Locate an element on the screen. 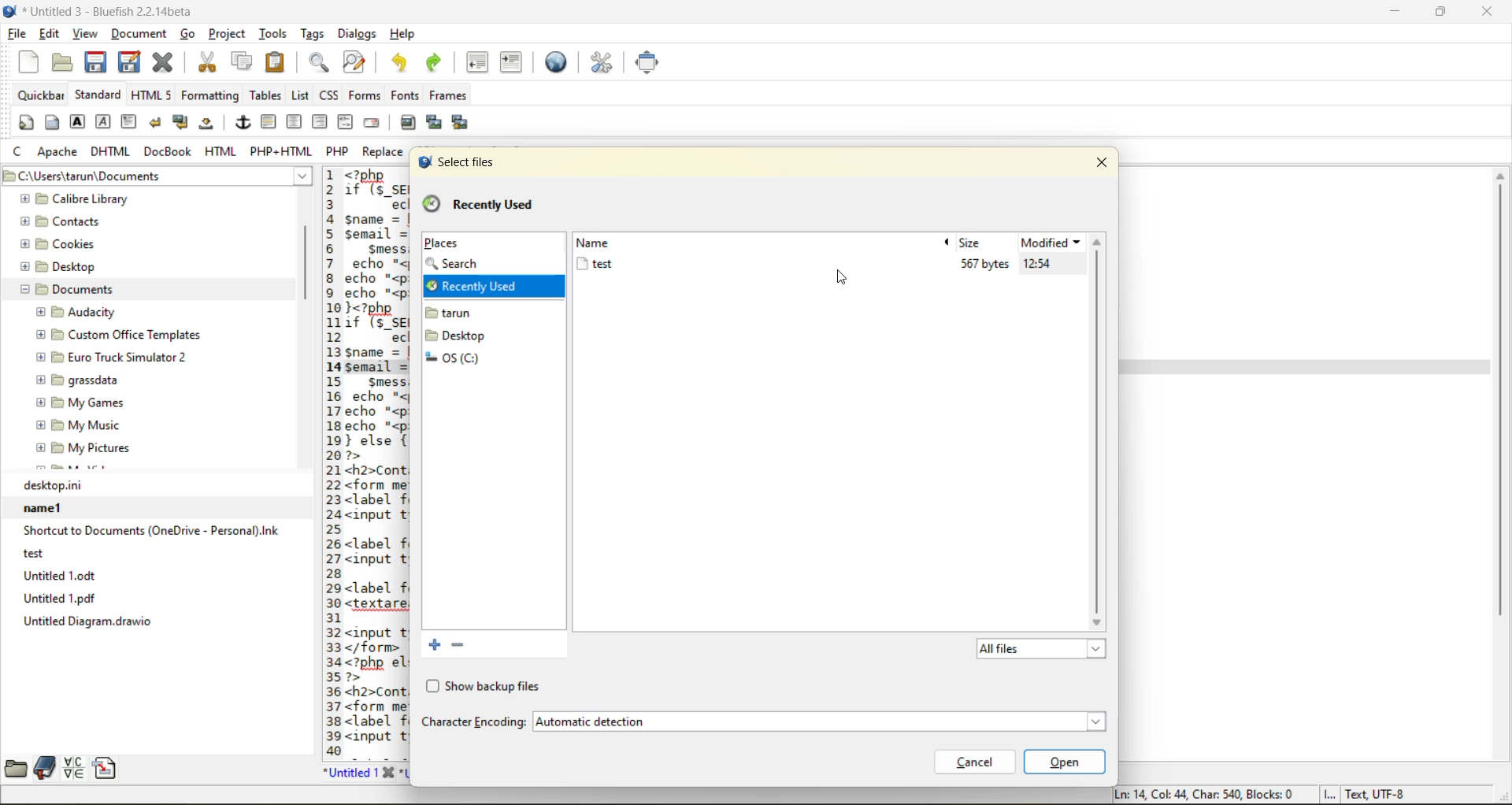 Image resolution: width=1512 pixels, height=805 pixels. open is located at coordinates (57, 62).